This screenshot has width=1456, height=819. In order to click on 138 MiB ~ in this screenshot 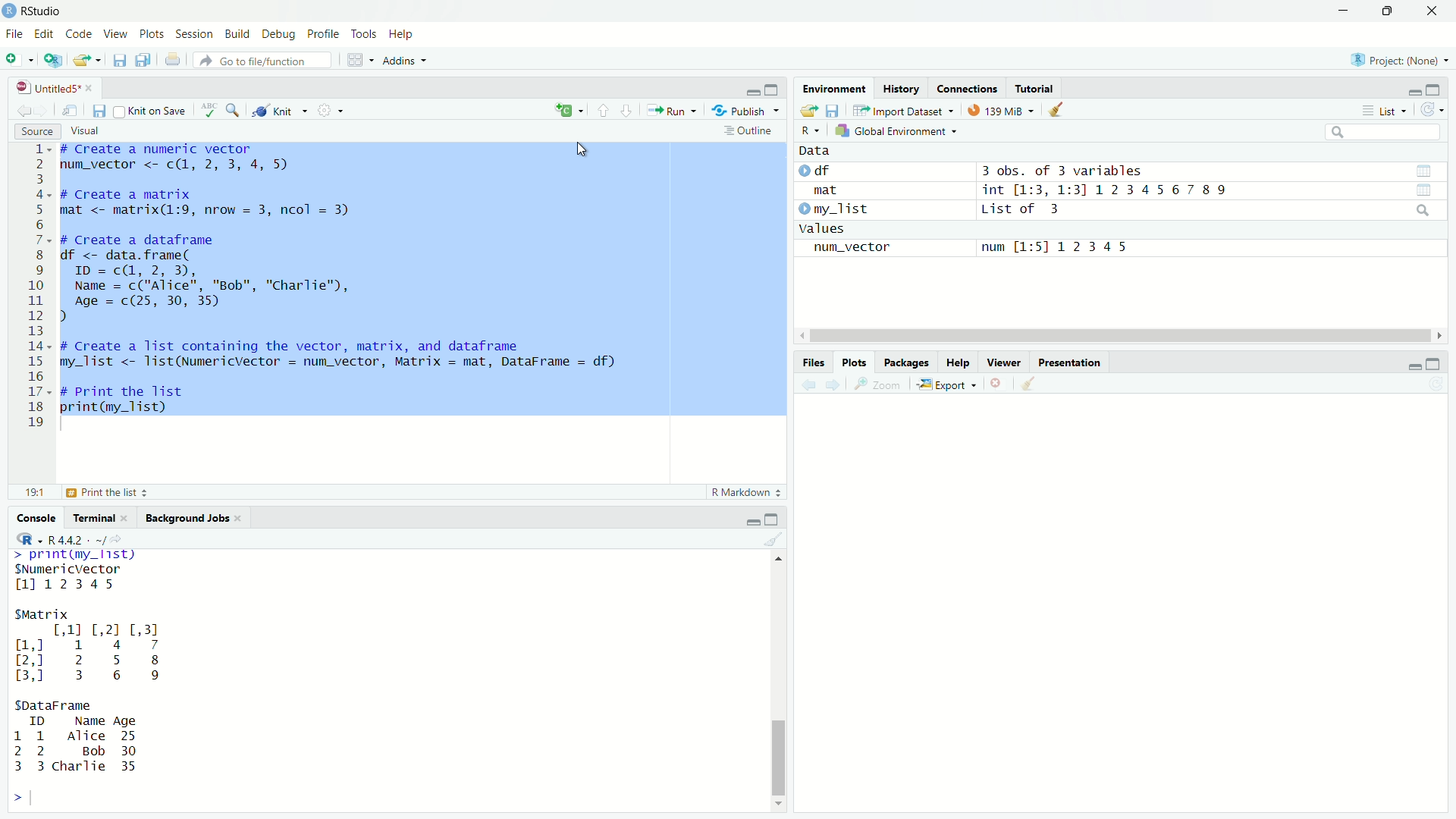, I will do `click(1003, 110)`.